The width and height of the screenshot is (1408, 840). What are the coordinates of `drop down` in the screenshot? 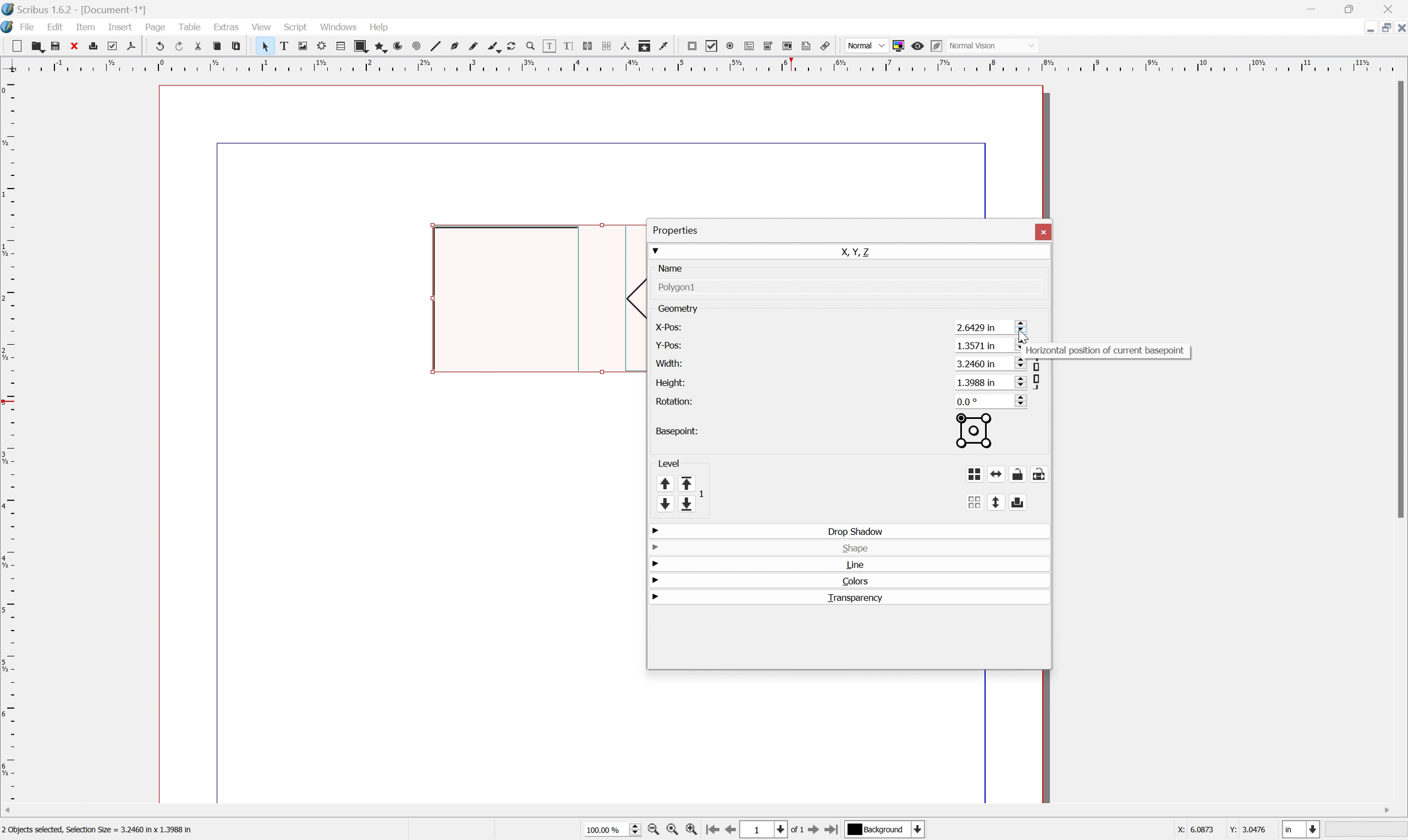 It's located at (657, 563).